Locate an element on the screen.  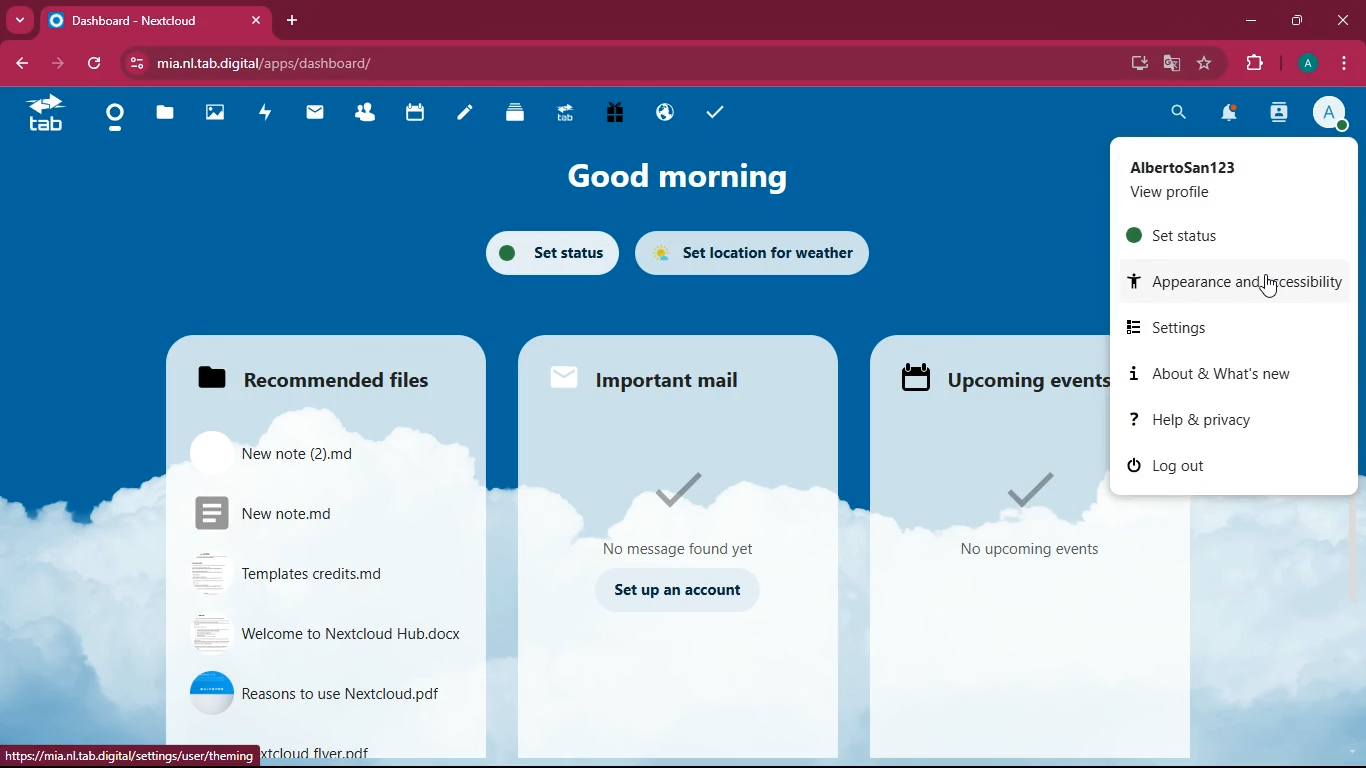
pointing cursor is located at coordinates (1270, 287).